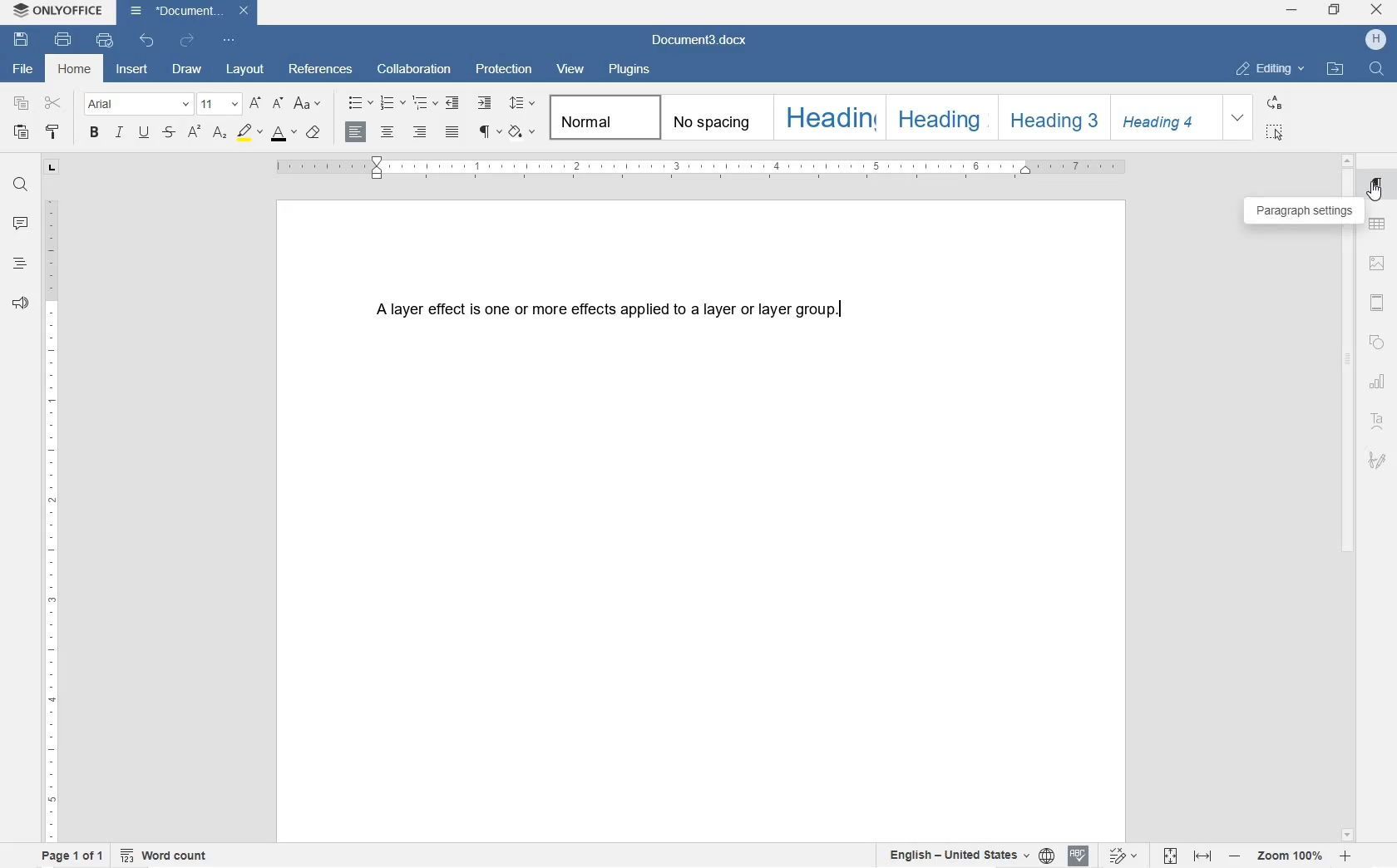 This screenshot has width=1397, height=868. Describe the element at coordinates (1079, 856) in the screenshot. I see `SPELL CHECKING` at that location.